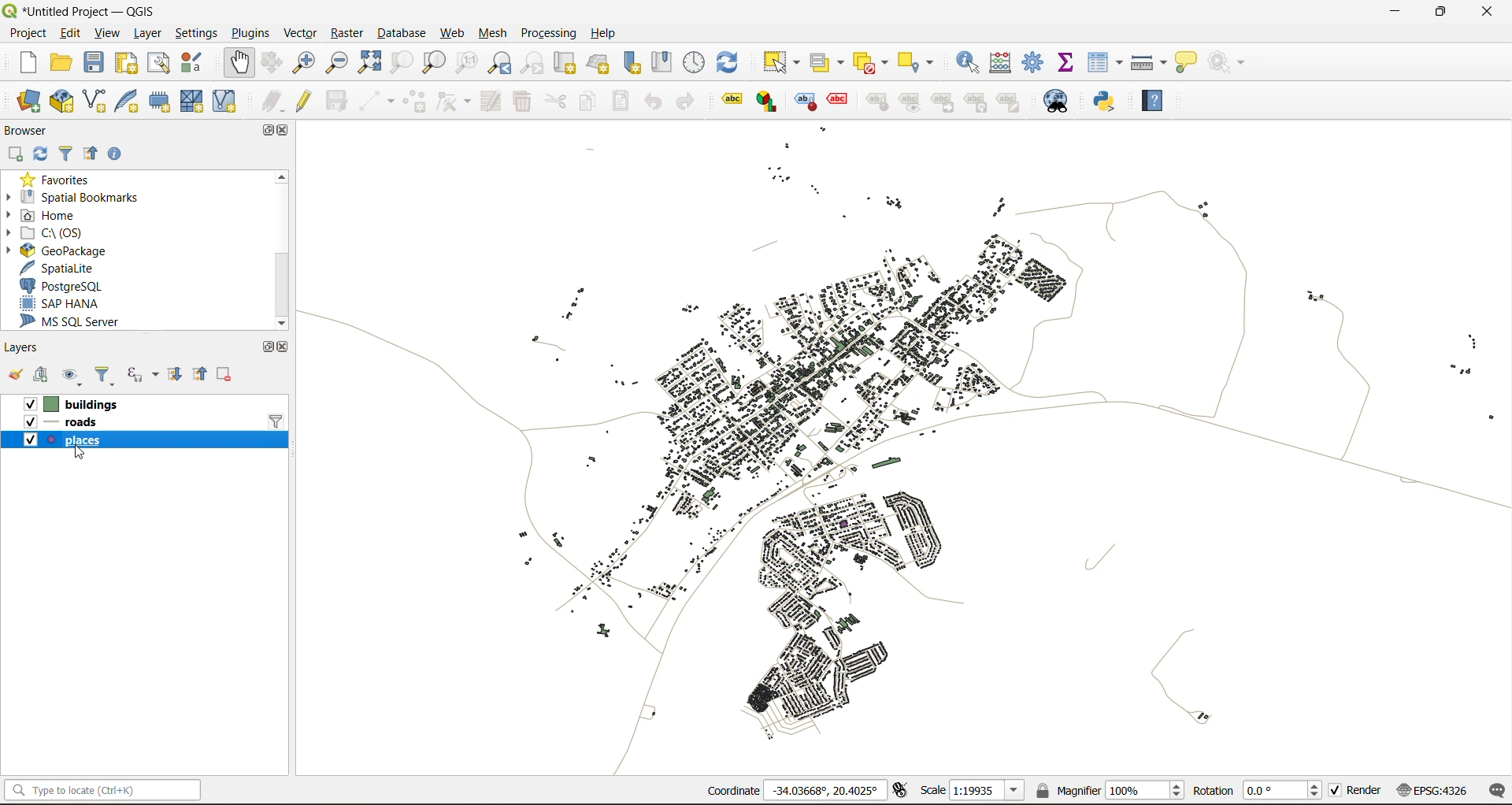 This screenshot has height=805, width=1512. What do you see at coordinates (591, 103) in the screenshot?
I see `copy` at bounding box center [591, 103].